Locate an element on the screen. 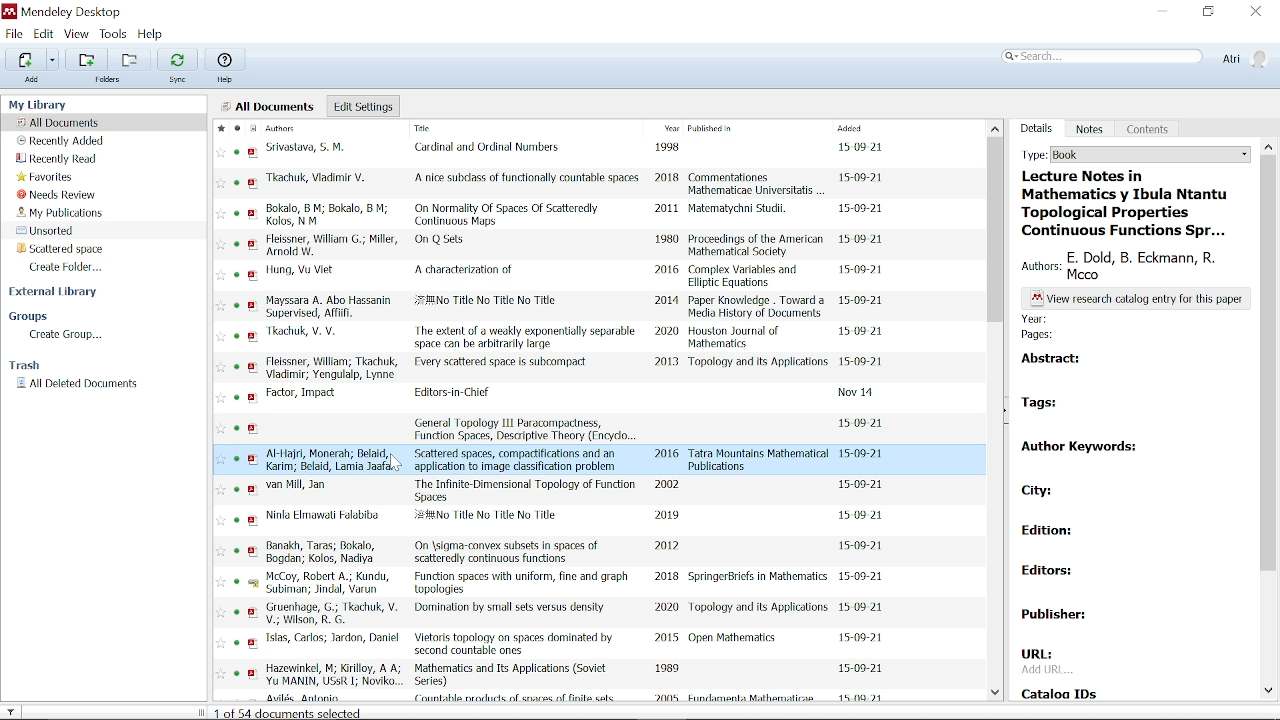 The image size is (1280, 720). READ/UNREAD STATUS is located at coordinates (237, 416).